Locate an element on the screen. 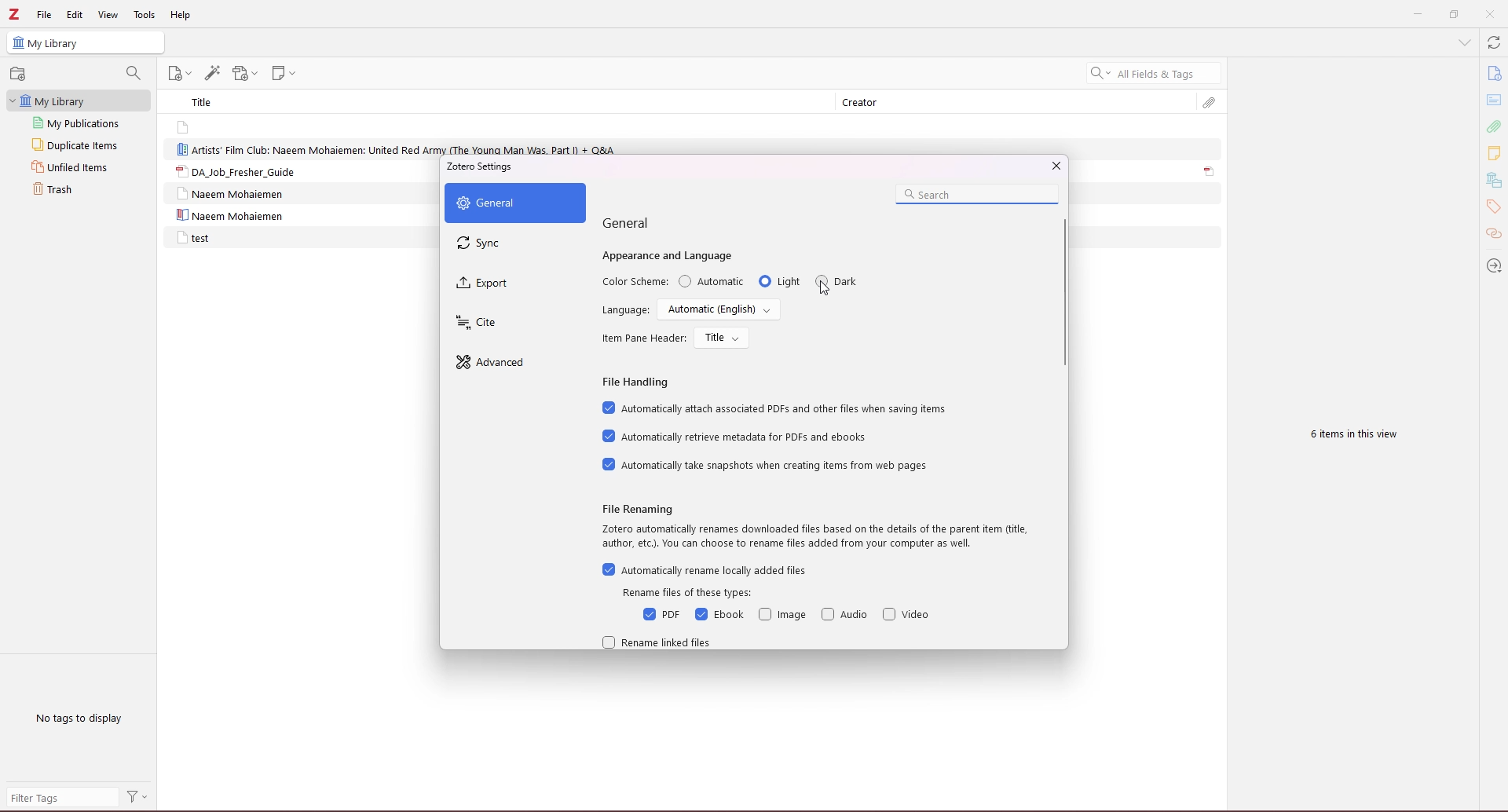  cite is located at coordinates (513, 324).